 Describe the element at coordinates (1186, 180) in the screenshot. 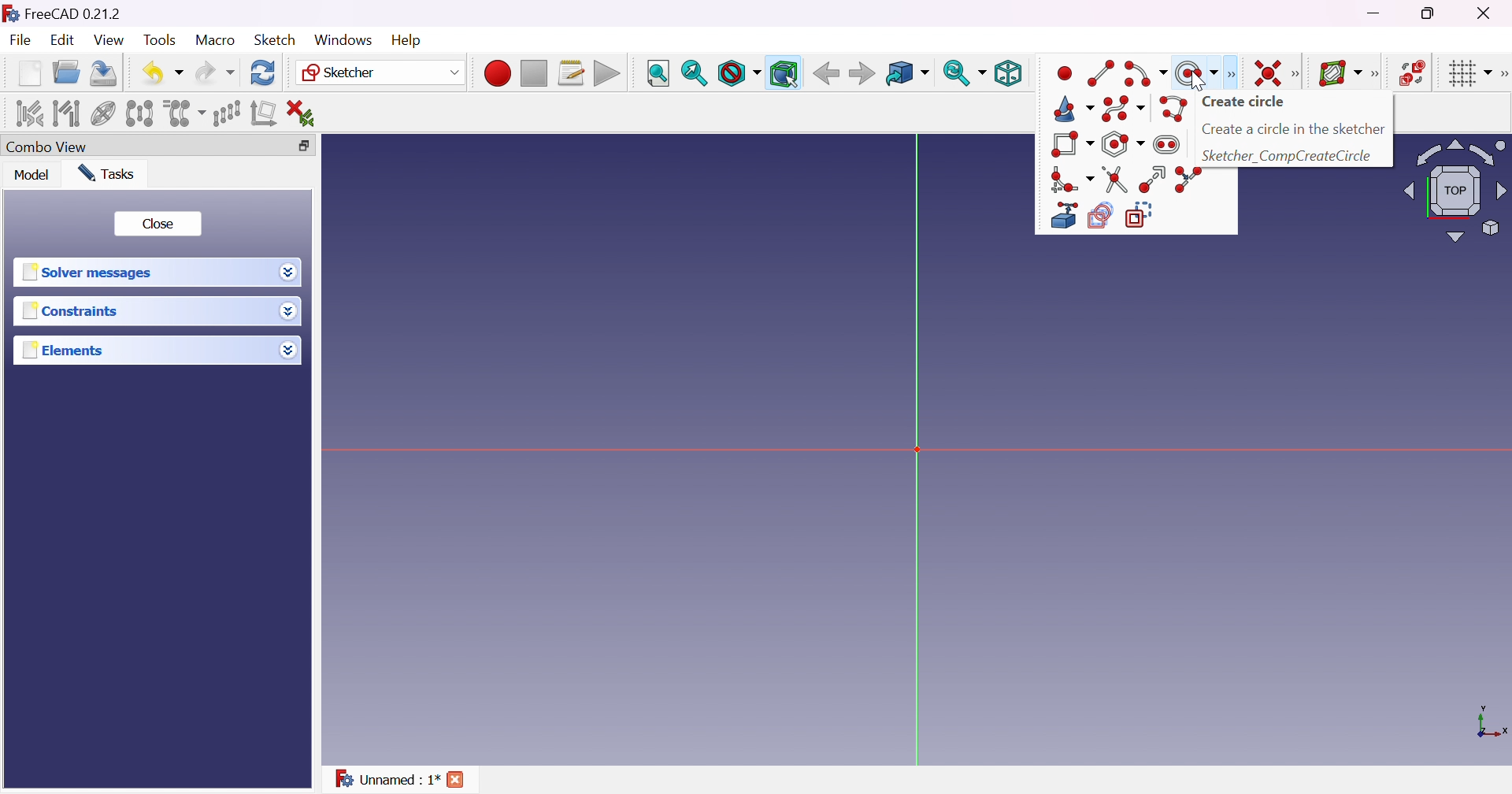

I see `Split edge` at that location.